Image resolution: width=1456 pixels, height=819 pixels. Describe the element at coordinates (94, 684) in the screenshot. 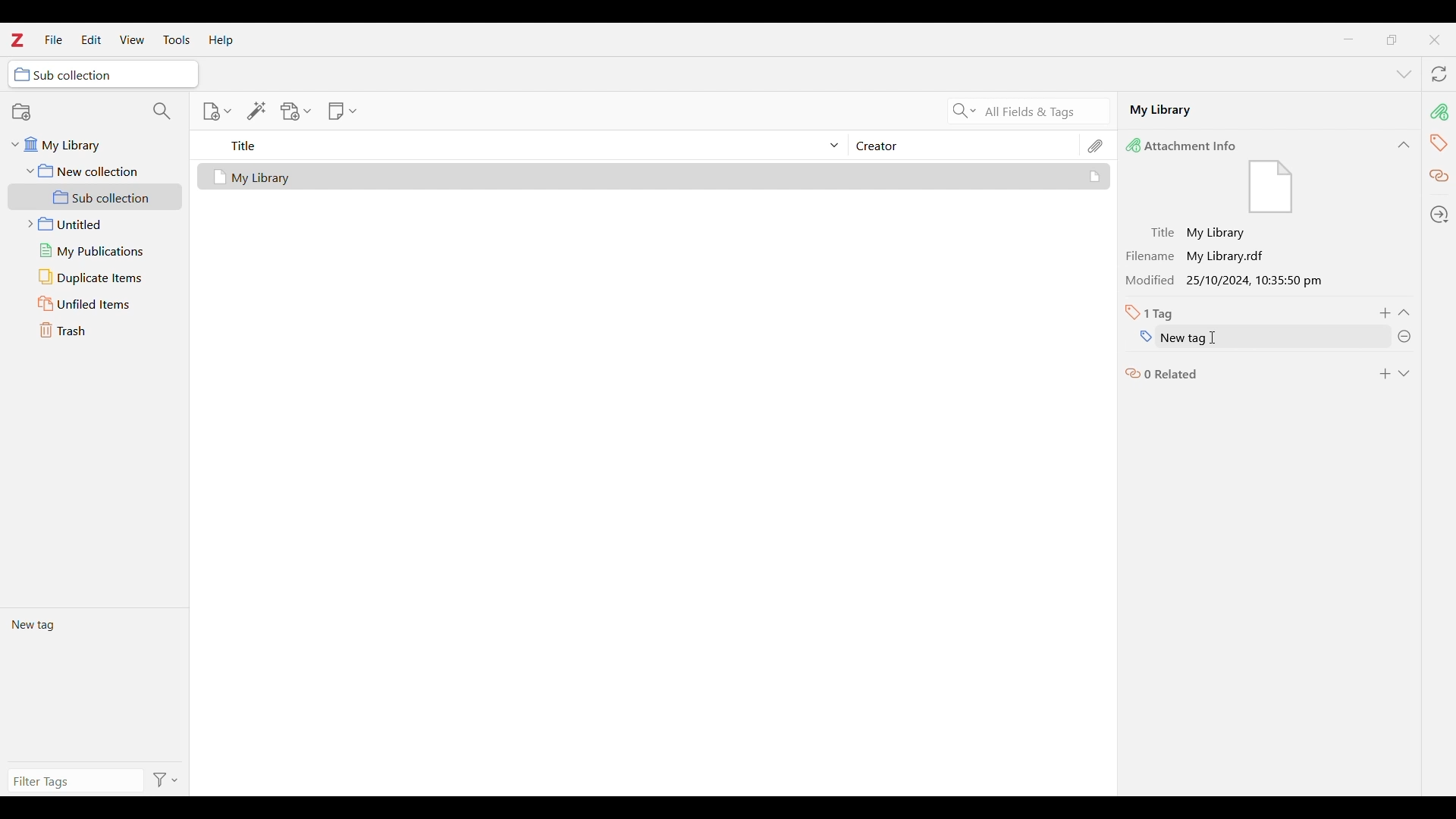

I see `Current tags` at that location.